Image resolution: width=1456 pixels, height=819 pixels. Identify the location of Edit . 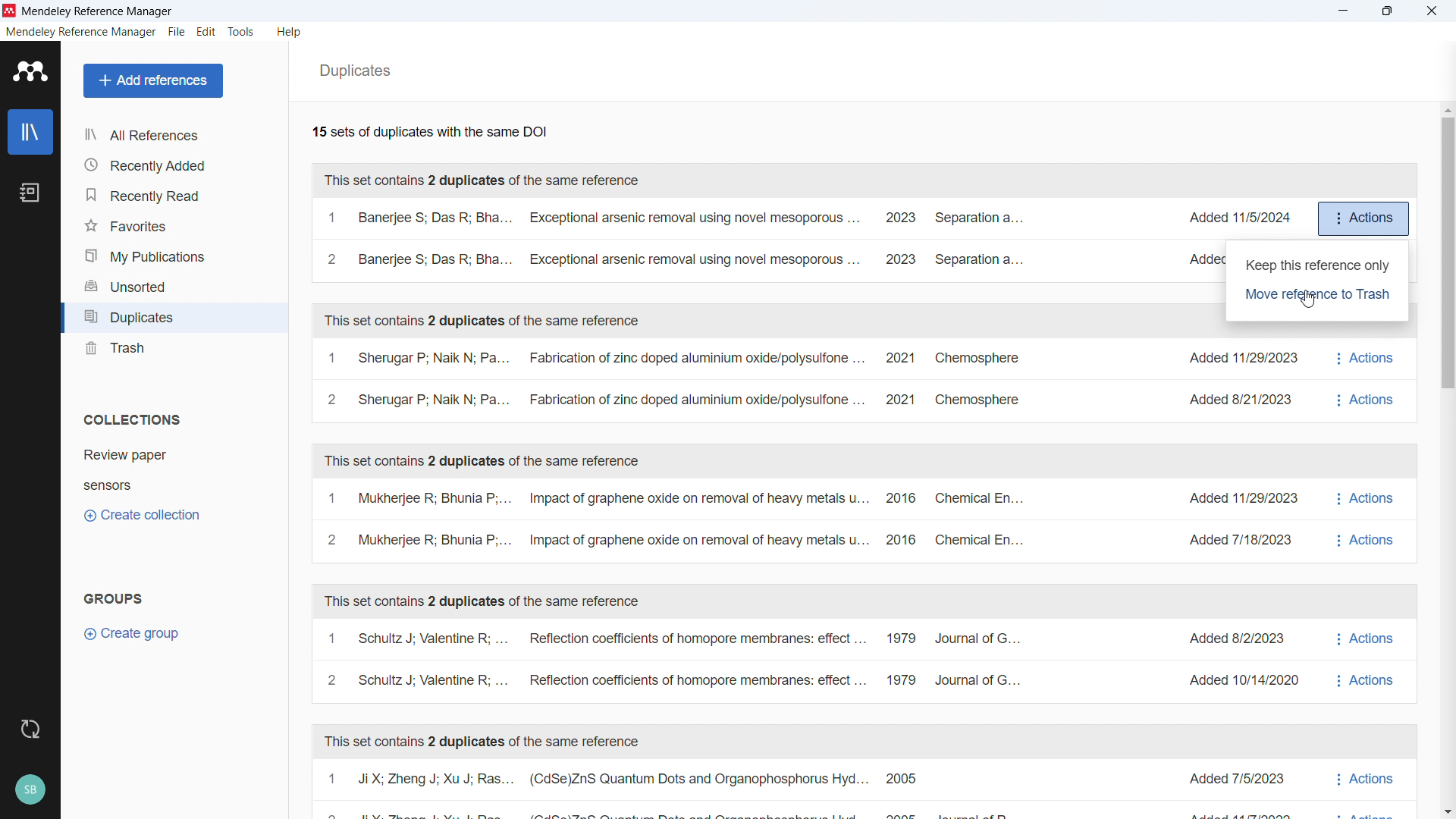
(207, 32).